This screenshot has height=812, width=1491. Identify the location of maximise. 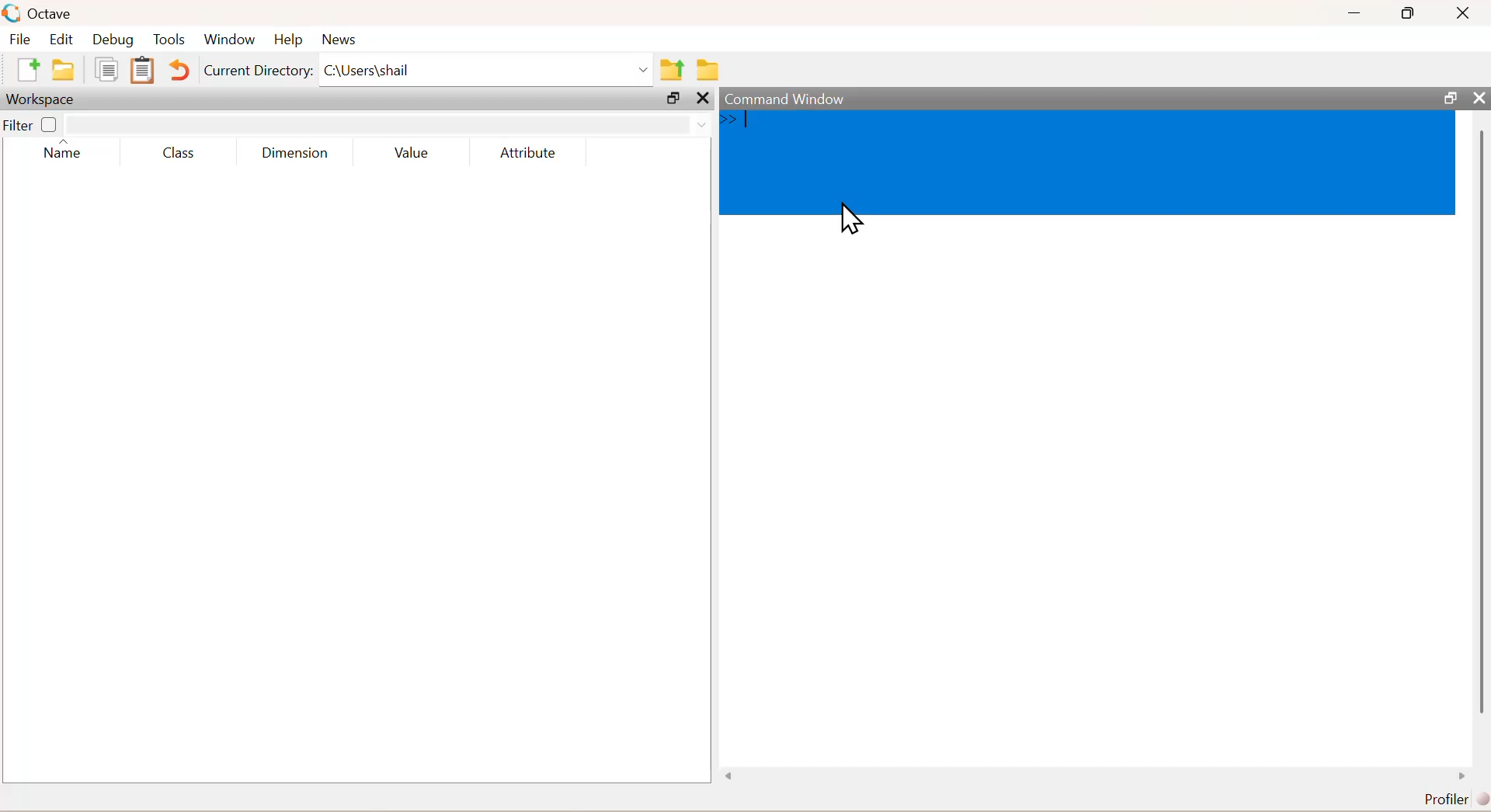
(1409, 12).